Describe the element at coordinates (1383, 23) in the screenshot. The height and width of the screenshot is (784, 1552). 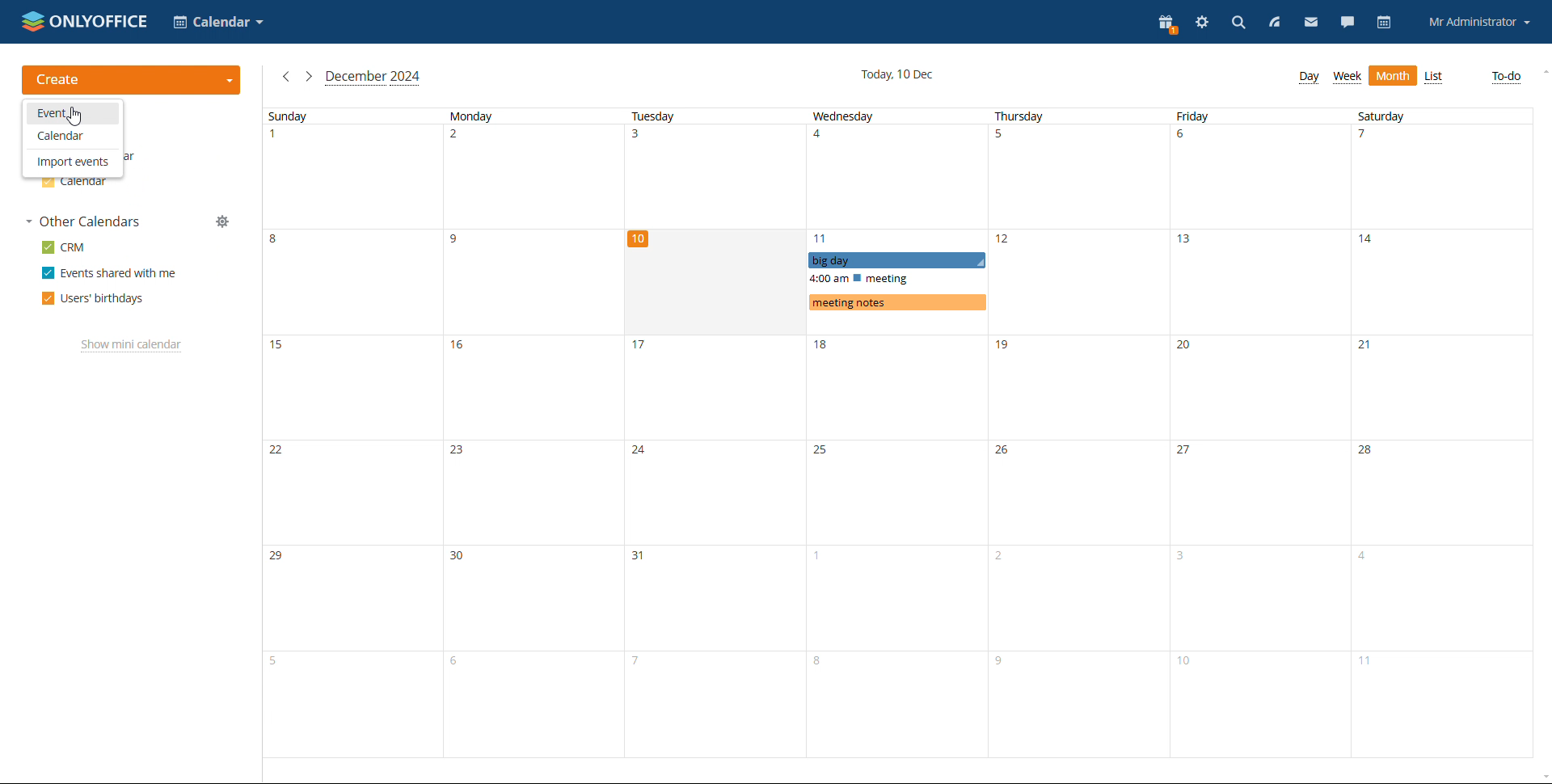
I see `calendar` at that location.